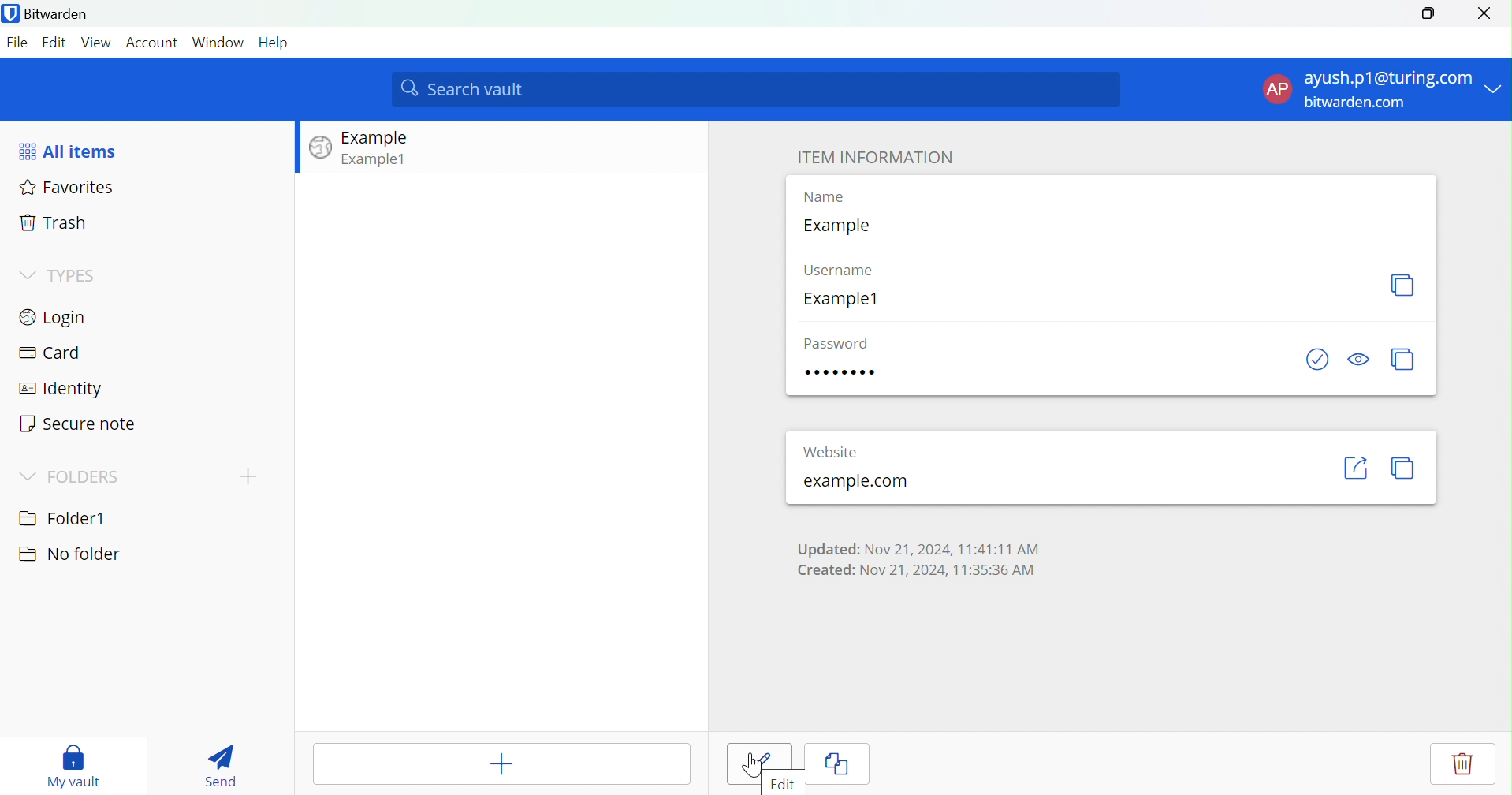  Describe the element at coordinates (845, 372) in the screenshot. I see `Password` at that location.